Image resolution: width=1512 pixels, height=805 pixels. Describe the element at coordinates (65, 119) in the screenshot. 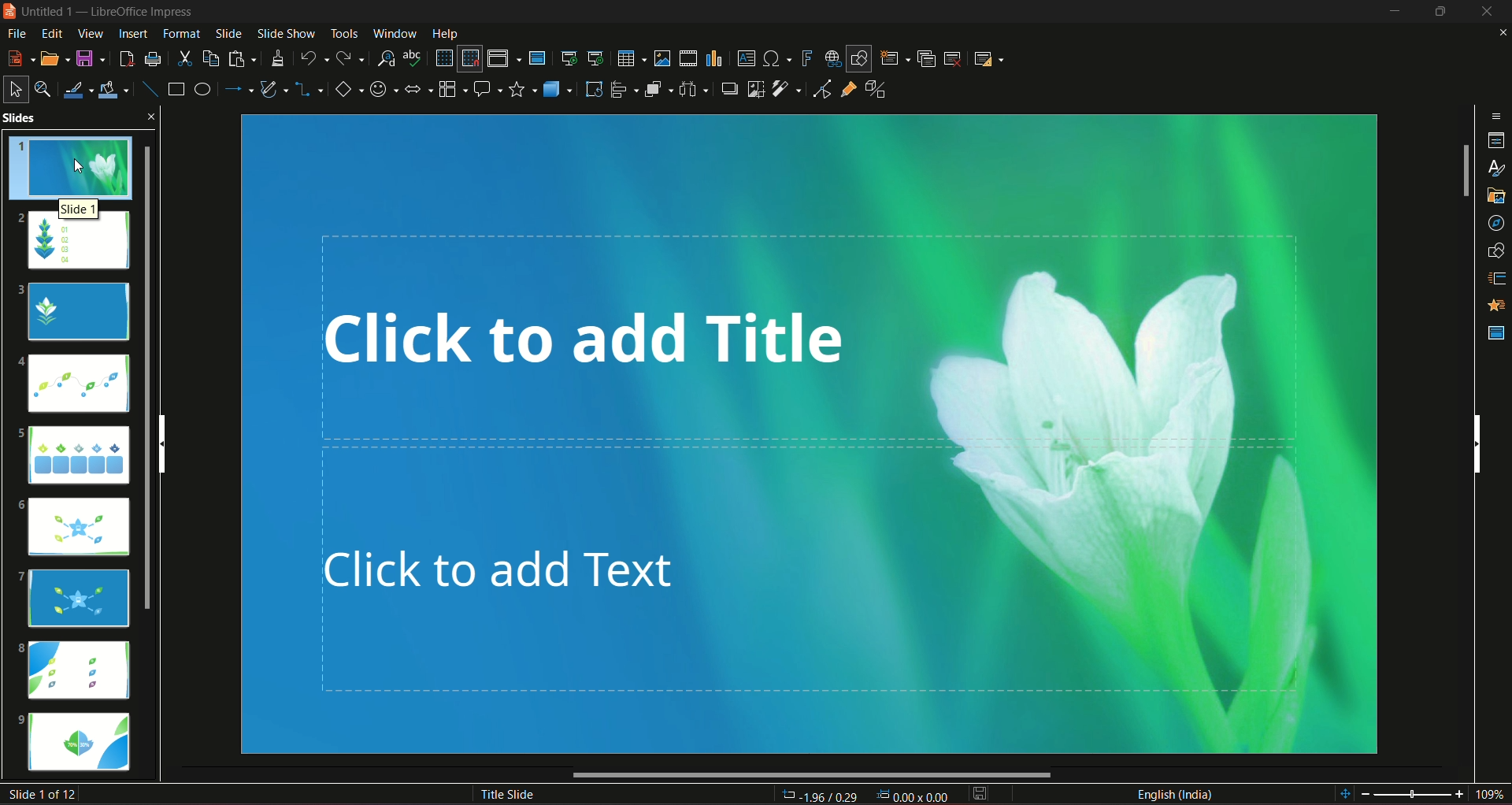

I see `slides` at that location.